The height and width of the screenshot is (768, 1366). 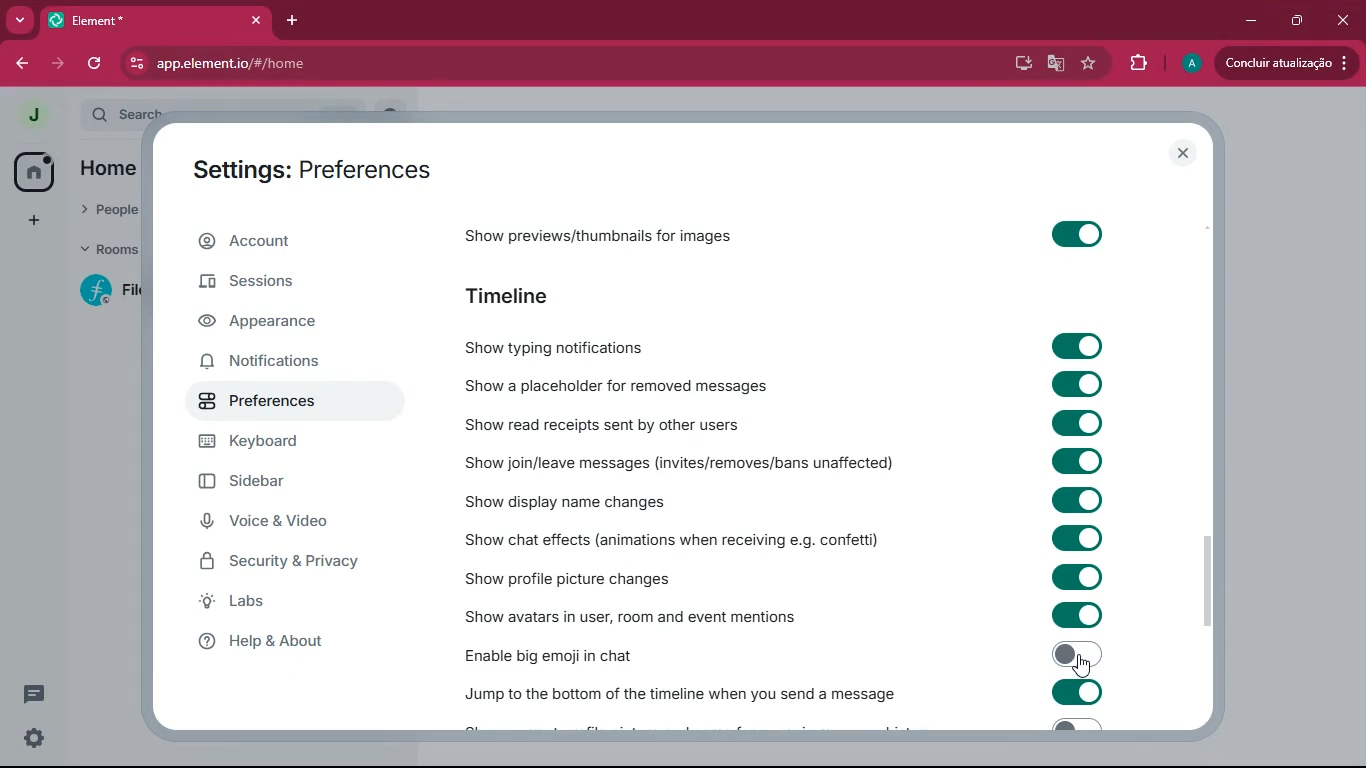 What do you see at coordinates (256, 19) in the screenshot?
I see `close` at bounding box center [256, 19].